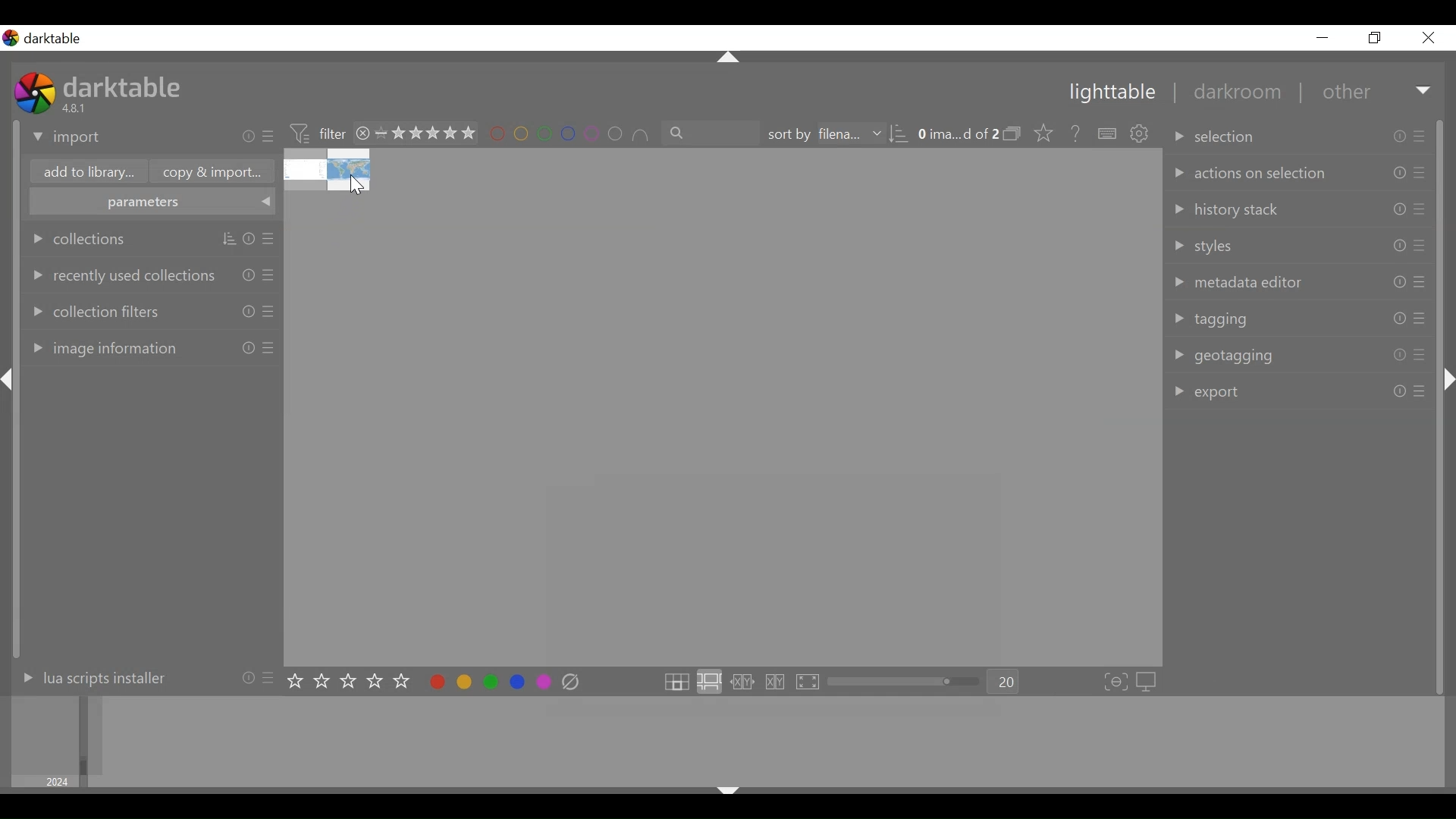 The width and height of the screenshot is (1456, 819). I want to click on , so click(1396, 139).